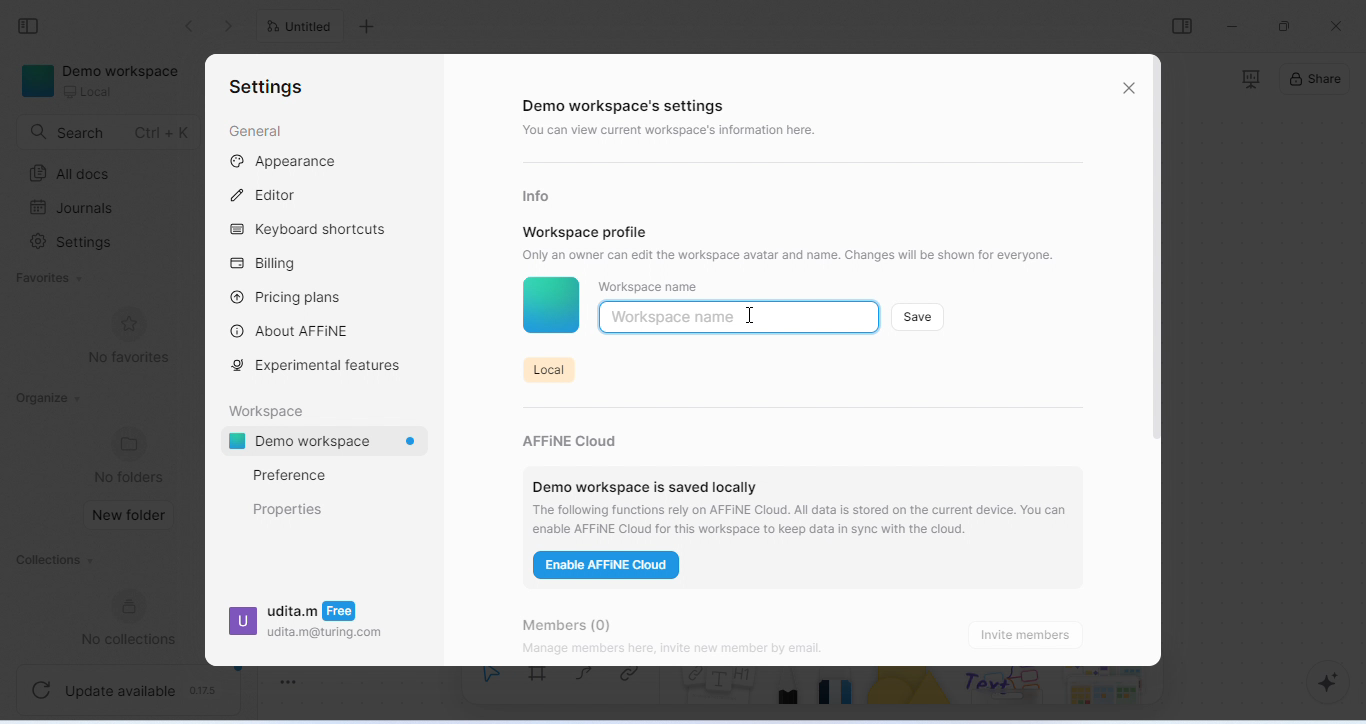  Describe the element at coordinates (645, 481) in the screenshot. I see `demo workspace is saved locally` at that location.